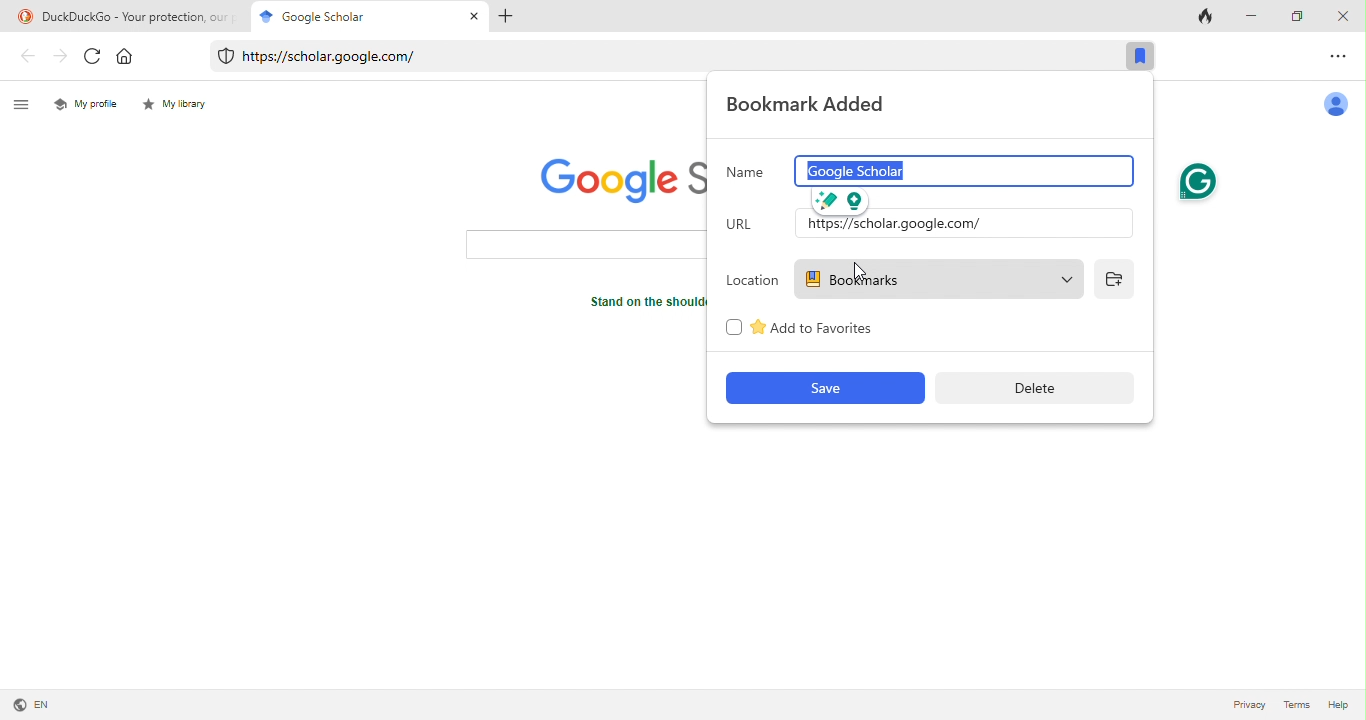 This screenshot has height=720, width=1366. Describe the element at coordinates (473, 18) in the screenshot. I see `close` at that location.